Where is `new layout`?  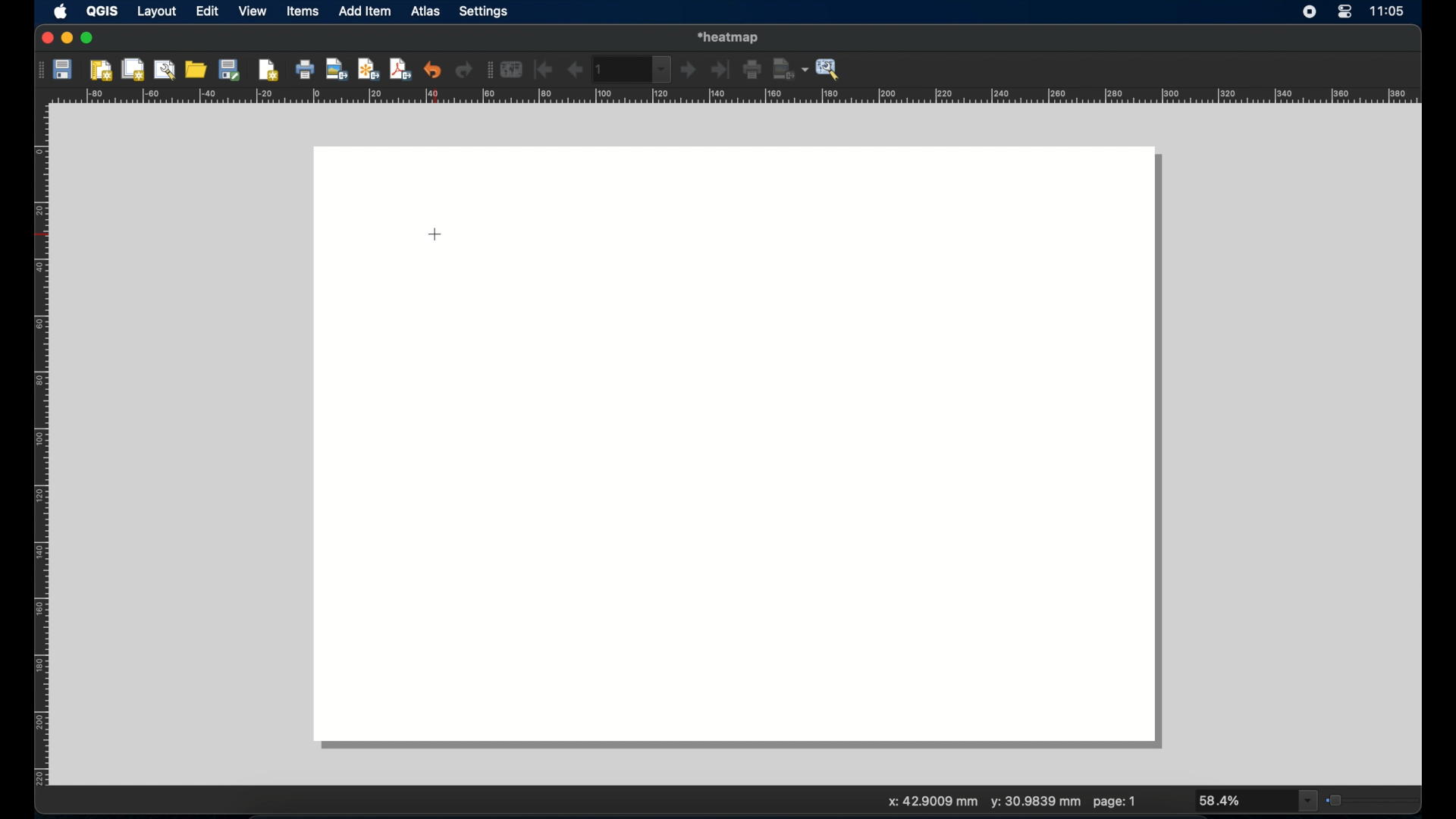
new layout is located at coordinates (102, 71).